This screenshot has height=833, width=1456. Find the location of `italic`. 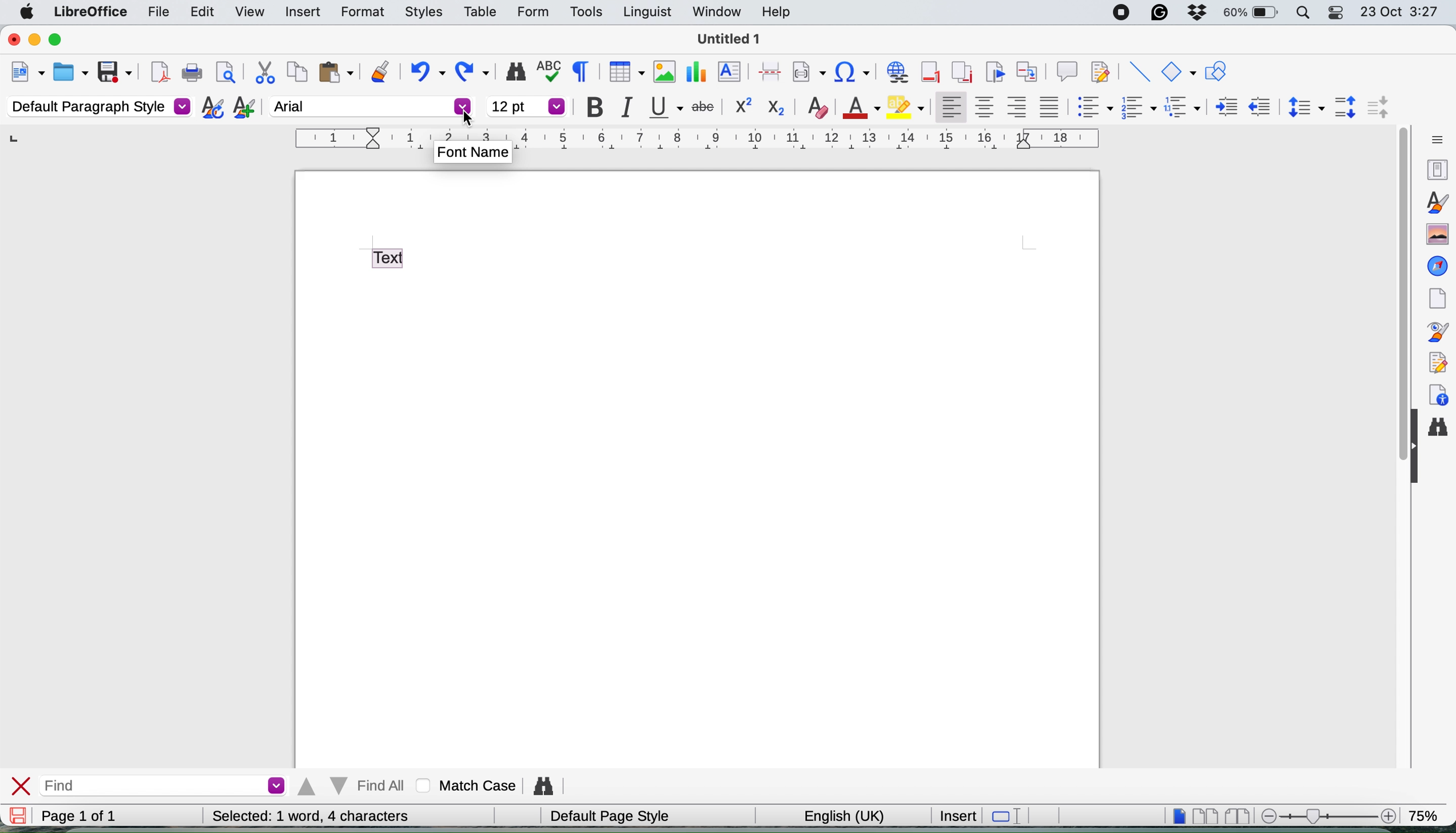

italic is located at coordinates (626, 107).